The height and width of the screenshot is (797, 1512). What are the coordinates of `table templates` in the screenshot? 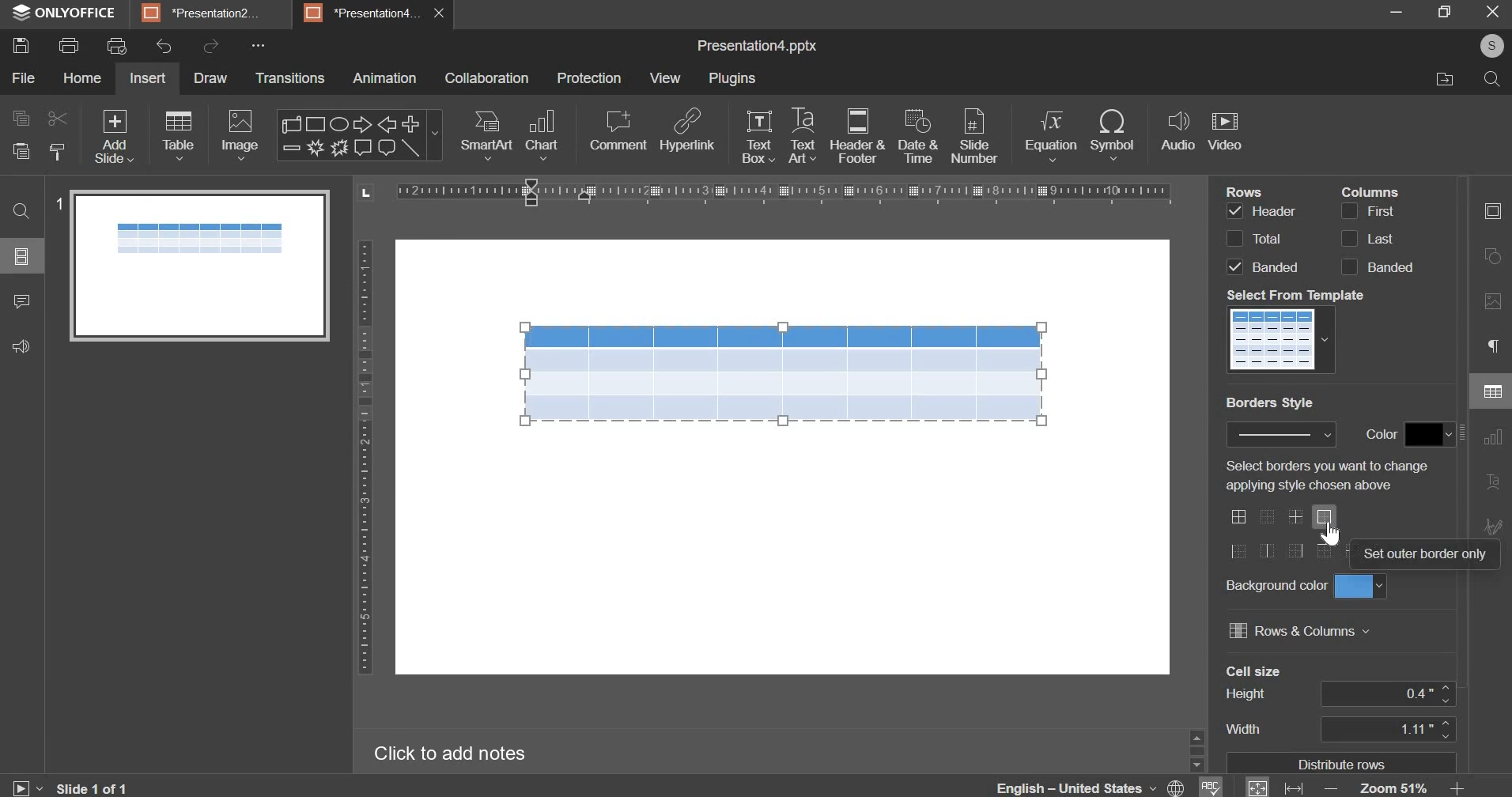 It's located at (1282, 340).